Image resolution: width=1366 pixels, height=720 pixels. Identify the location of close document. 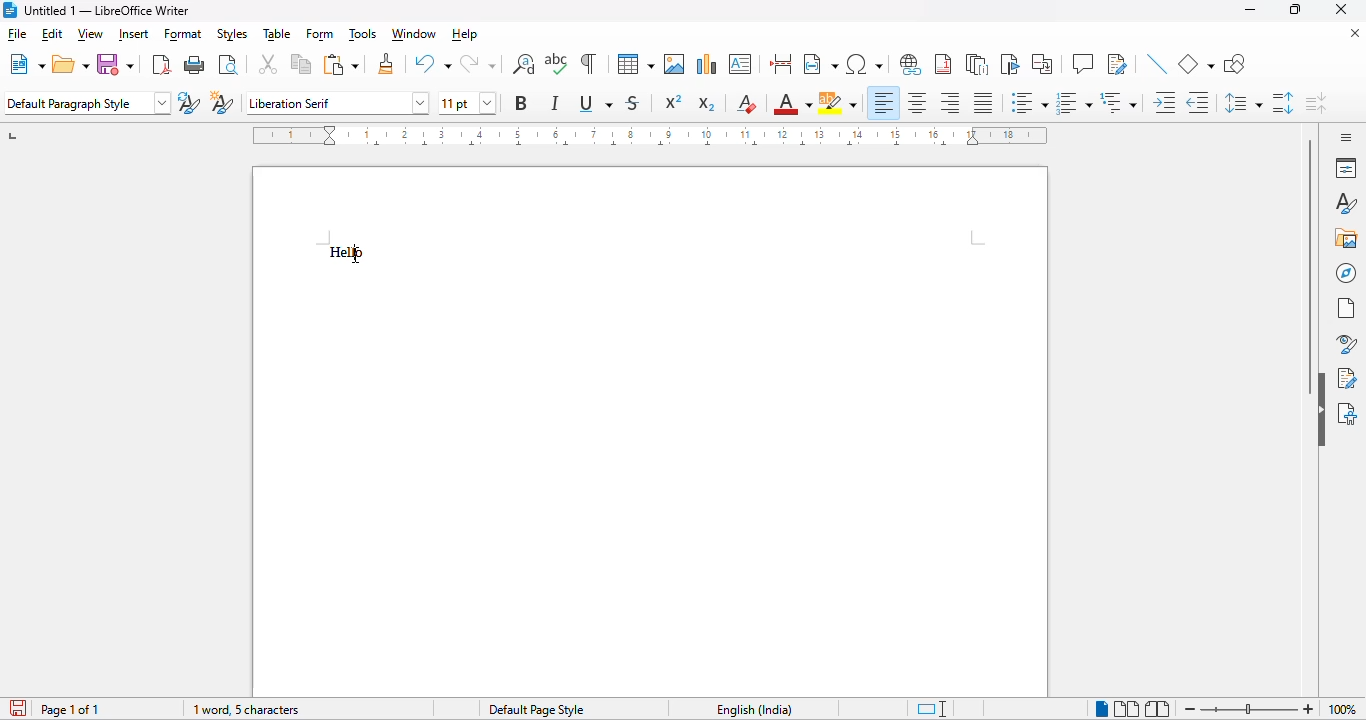
(1355, 33).